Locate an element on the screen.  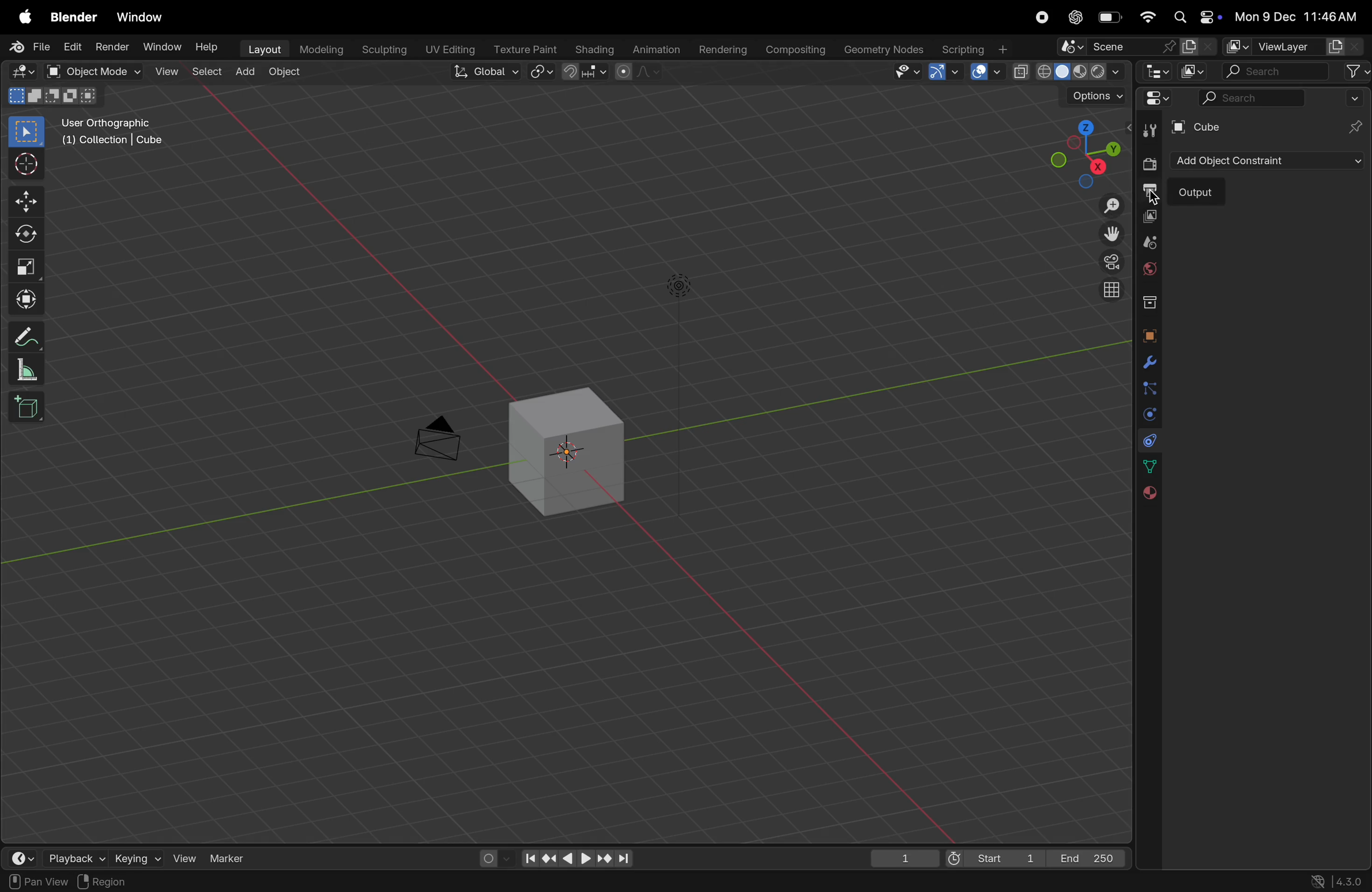
view port shading is located at coordinates (1068, 72).